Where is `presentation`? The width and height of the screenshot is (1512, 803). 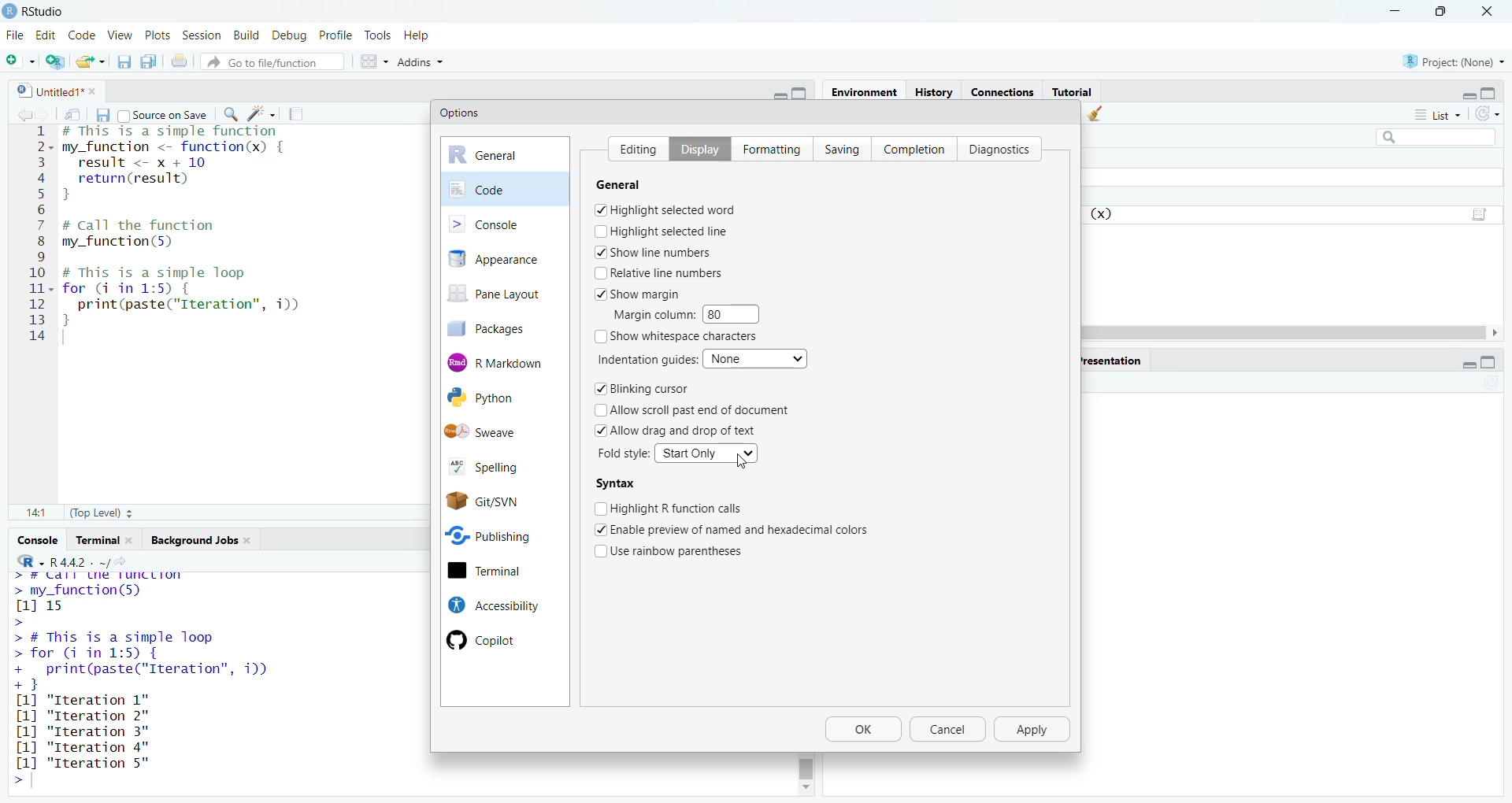
presentation is located at coordinates (1114, 359).